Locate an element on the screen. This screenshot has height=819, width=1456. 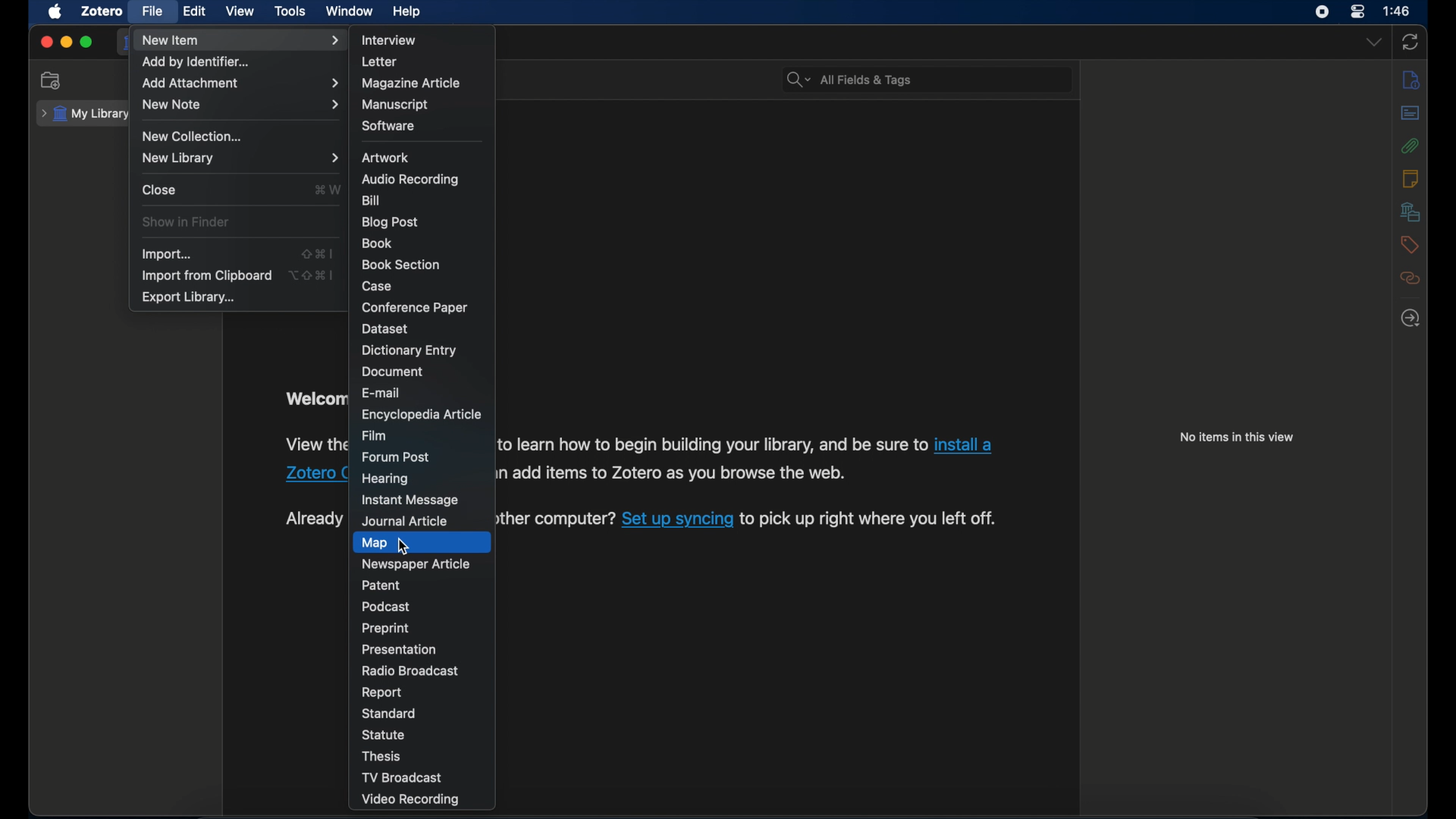
libraries is located at coordinates (1411, 212).